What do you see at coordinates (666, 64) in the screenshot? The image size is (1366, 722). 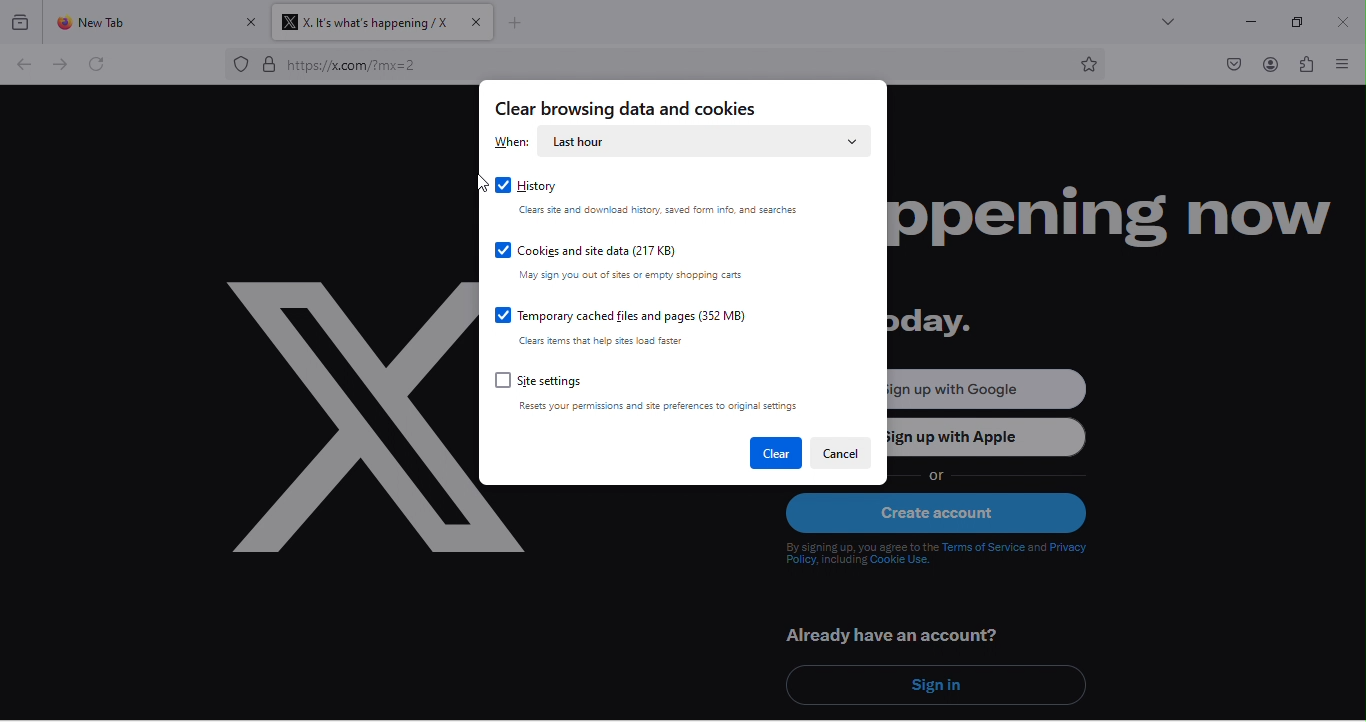 I see `web link` at bounding box center [666, 64].